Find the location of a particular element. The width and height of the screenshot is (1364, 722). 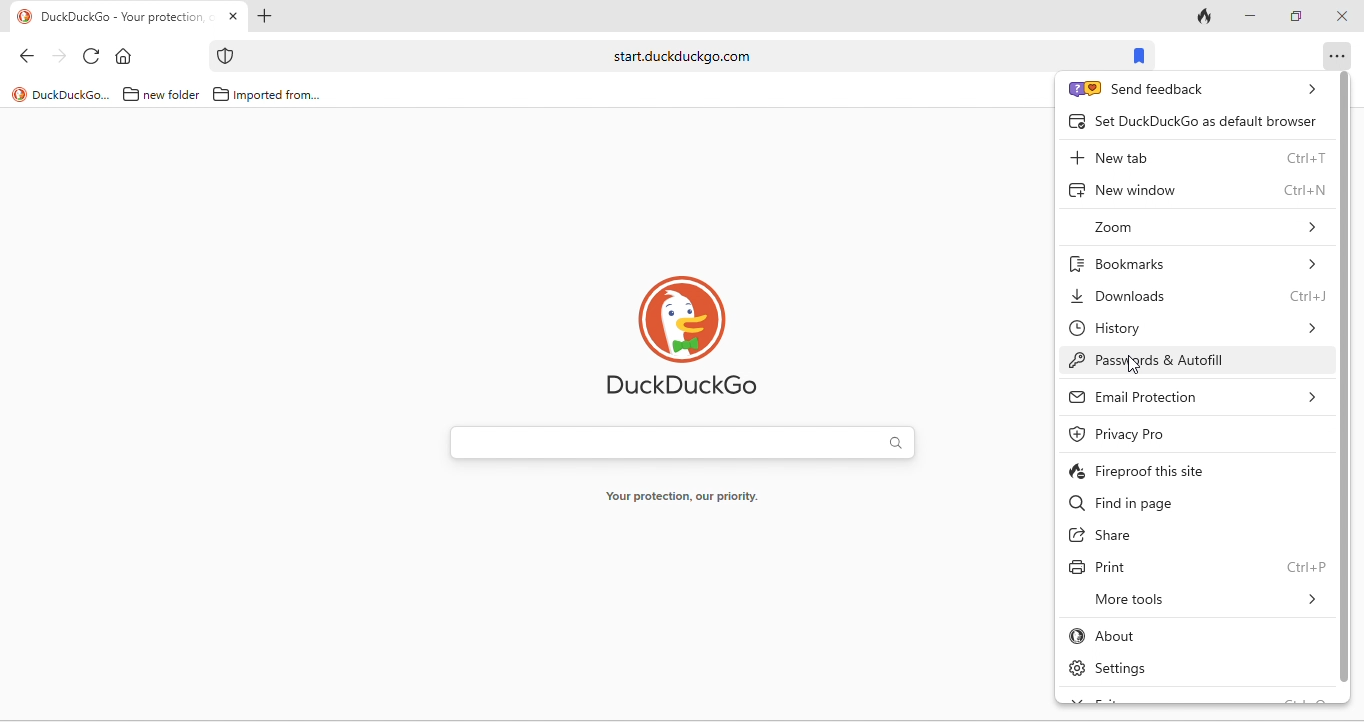

your protection, our priority. is located at coordinates (683, 497).